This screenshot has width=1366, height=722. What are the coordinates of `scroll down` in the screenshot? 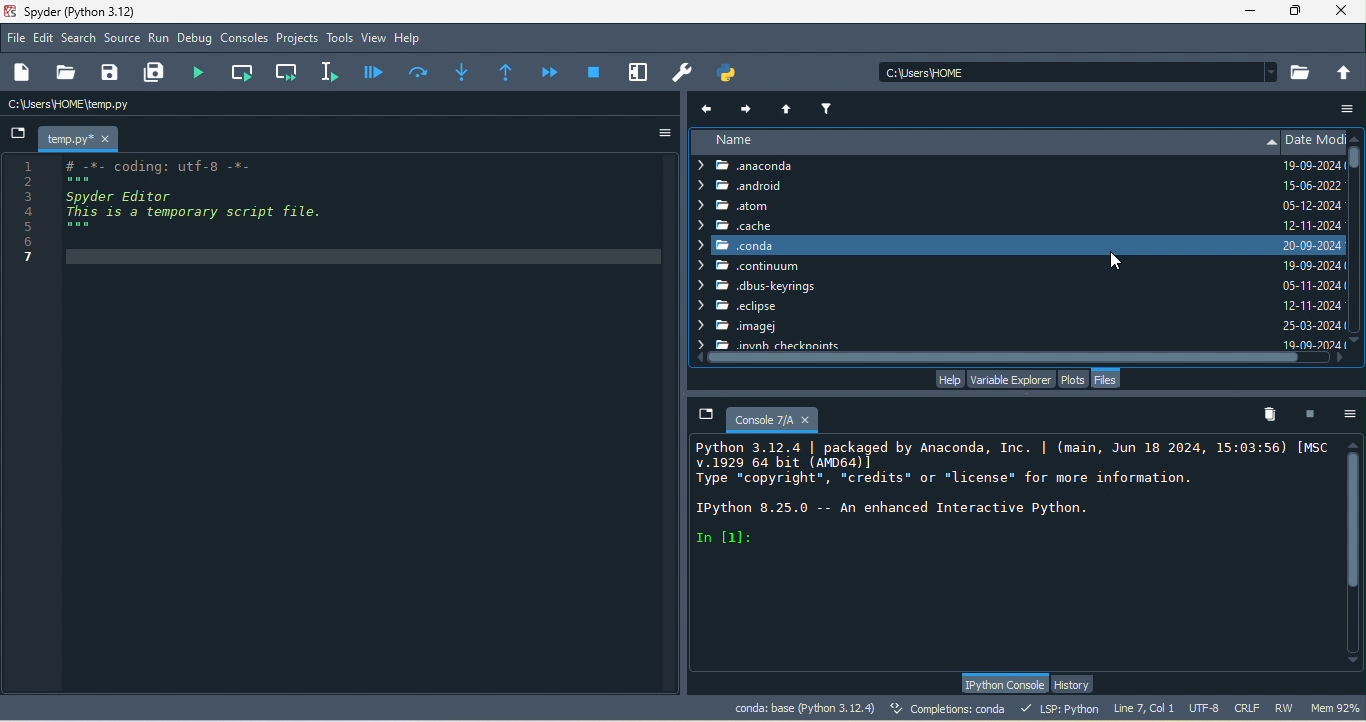 It's located at (1357, 341).